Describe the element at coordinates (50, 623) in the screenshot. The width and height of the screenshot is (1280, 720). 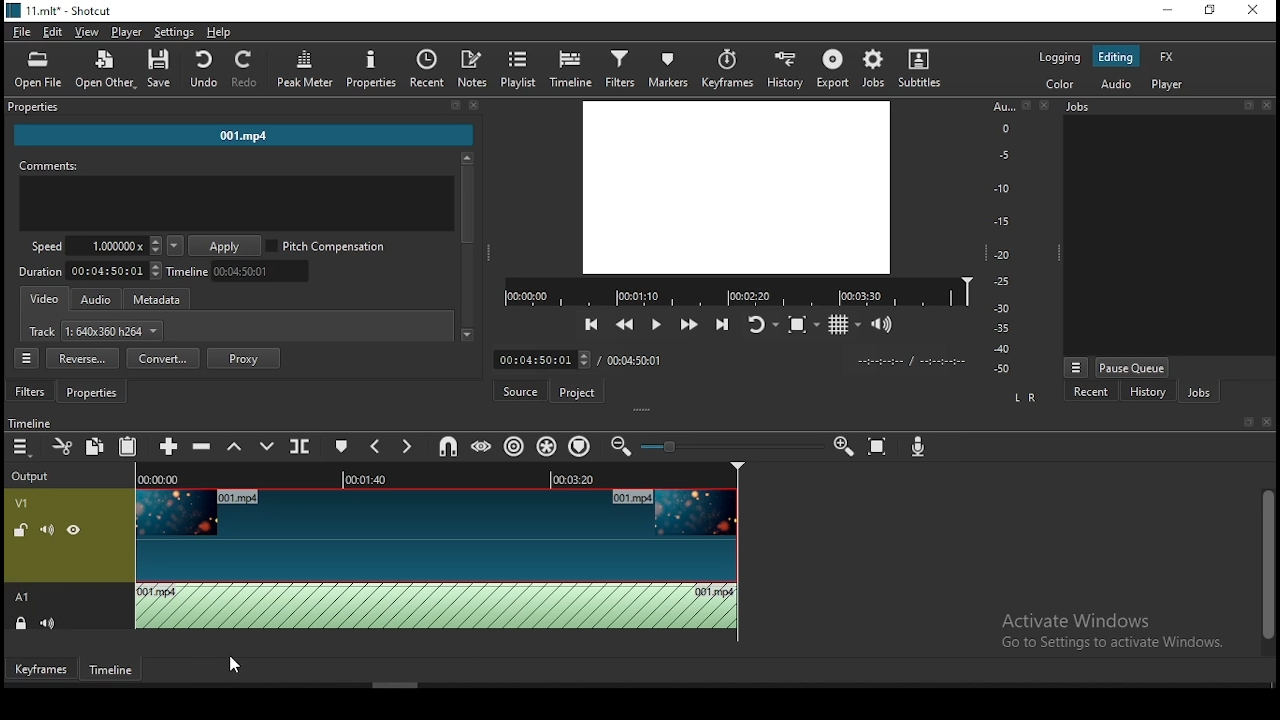
I see `(un)mute` at that location.